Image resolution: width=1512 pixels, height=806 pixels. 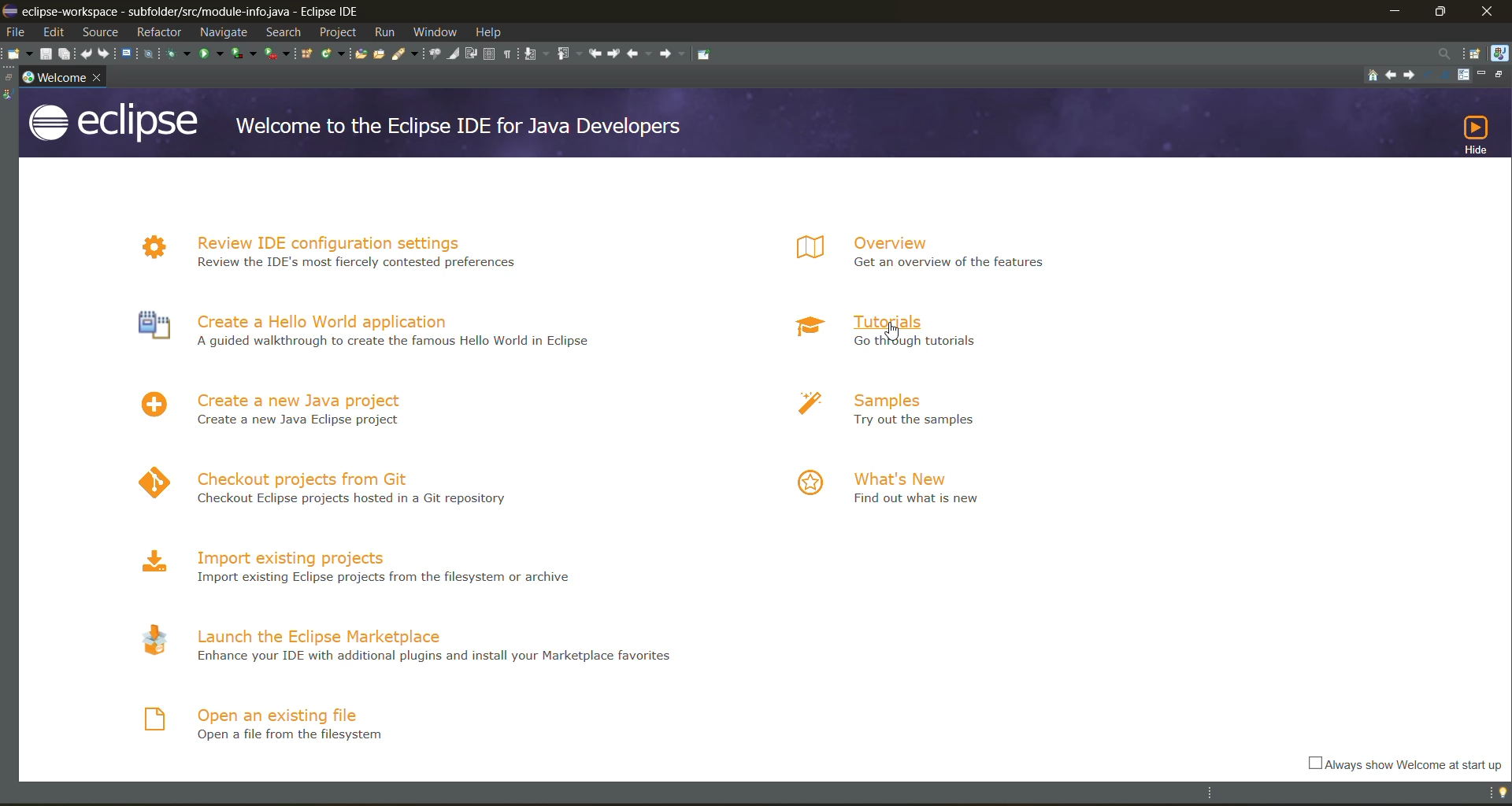 What do you see at coordinates (406, 52) in the screenshot?
I see `search` at bounding box center [406, 52].